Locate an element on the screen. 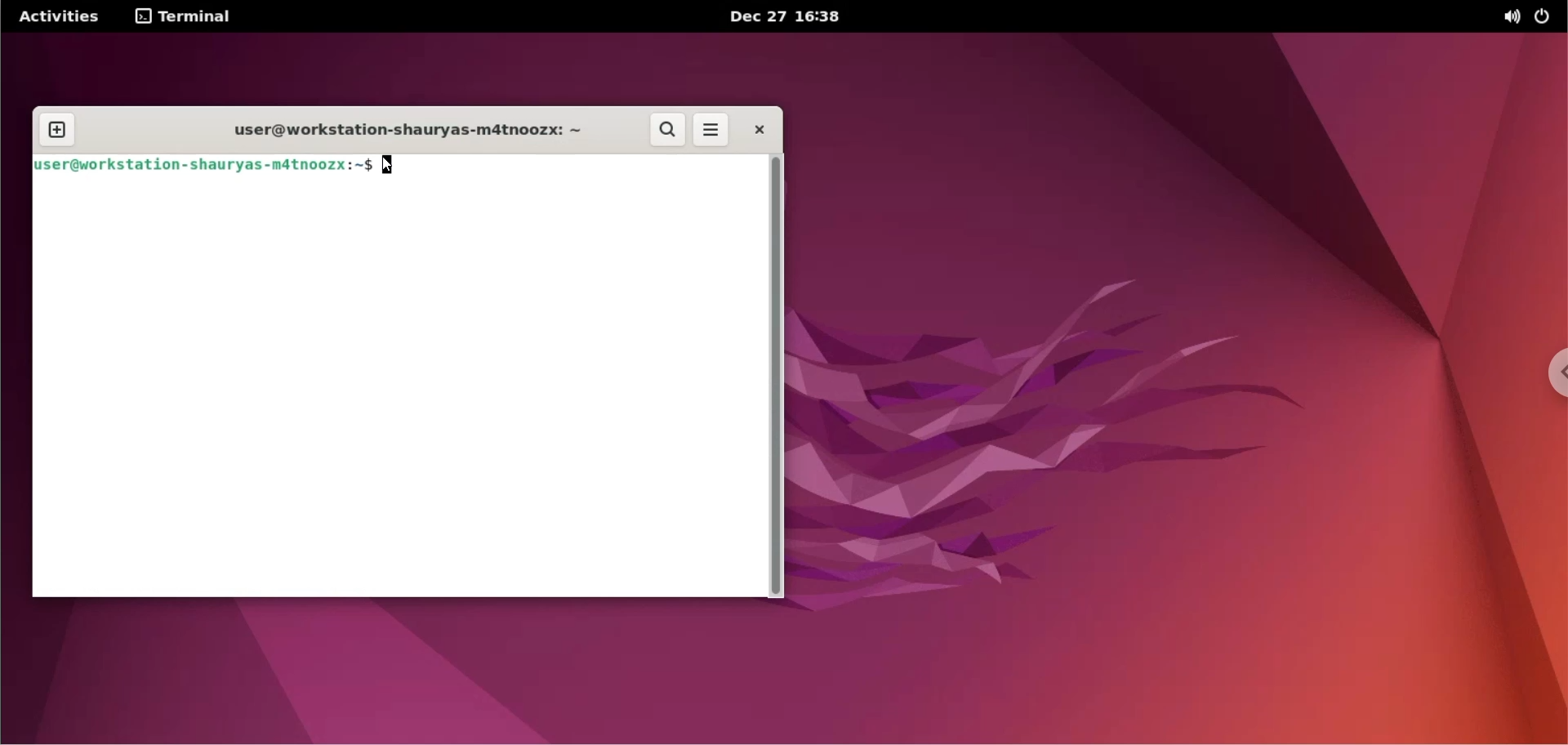  cursor is located at coordinates (396, 167).